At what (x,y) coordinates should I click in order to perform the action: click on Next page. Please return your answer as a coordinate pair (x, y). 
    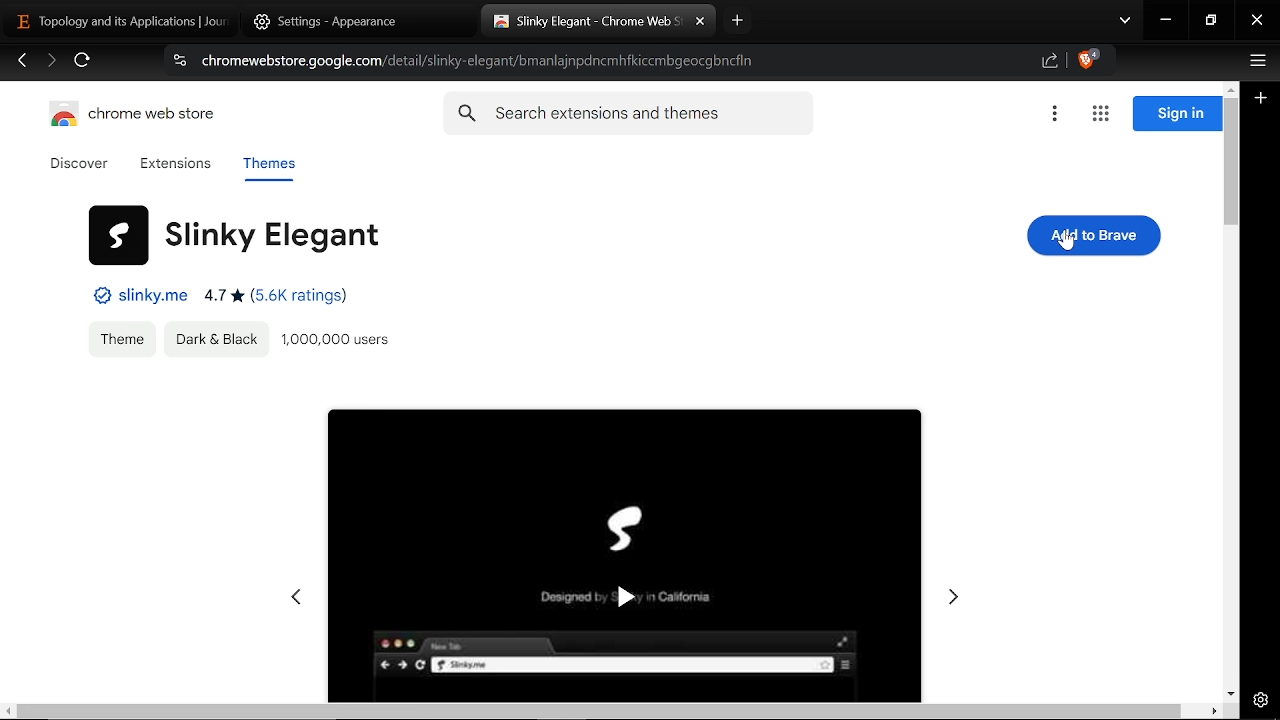
    Looking at the image, I should click on (51, 62).